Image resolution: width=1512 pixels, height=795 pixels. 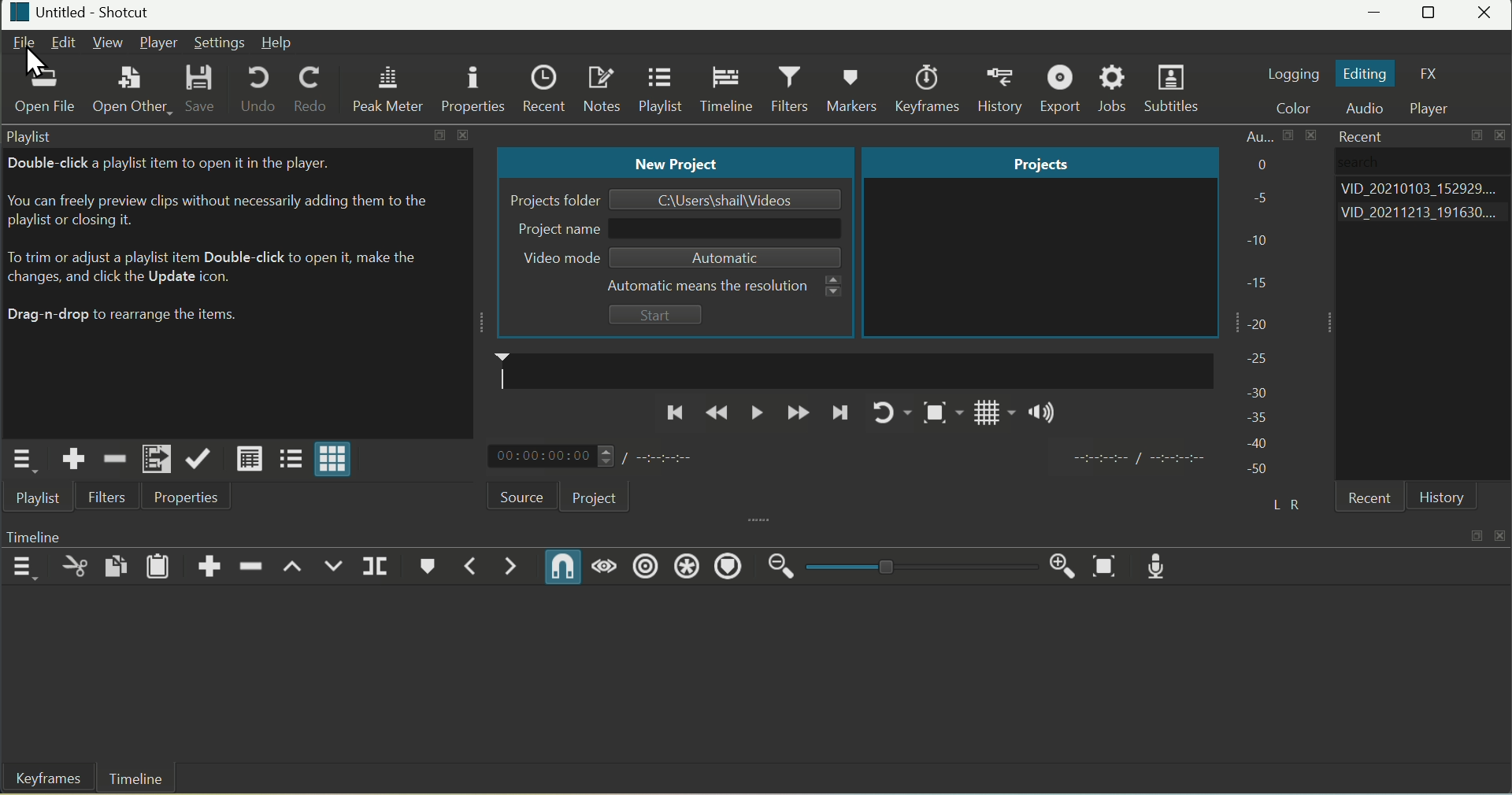 What do you see at coordinates (1503, 136) in the screenshot?
I see `close` at bounding box center [1503, 136].